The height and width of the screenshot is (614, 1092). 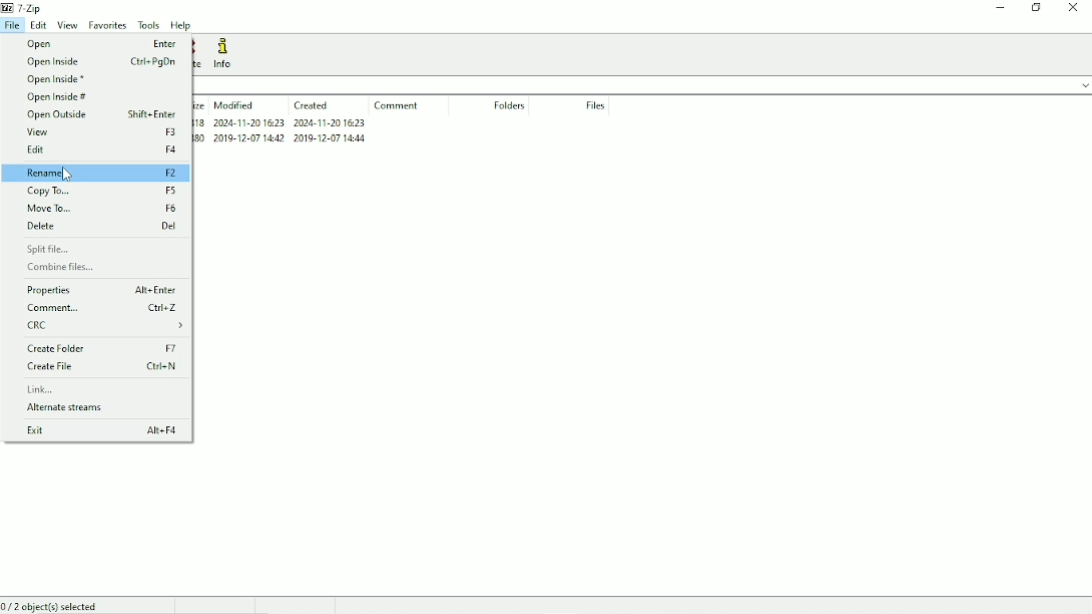 What do you see at coordinates (40, 26) in the screenshot?
I see `Edit` at bounding box center [40, 26].